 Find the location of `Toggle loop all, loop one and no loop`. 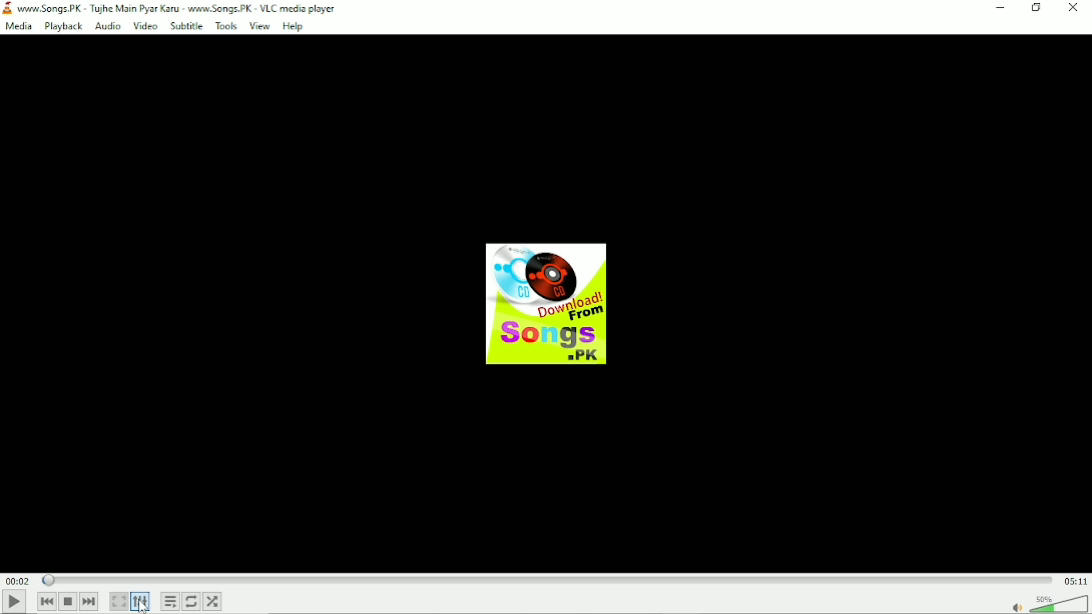

Toggle loop all, loop one and no loop is located at coordinates (190, 601).